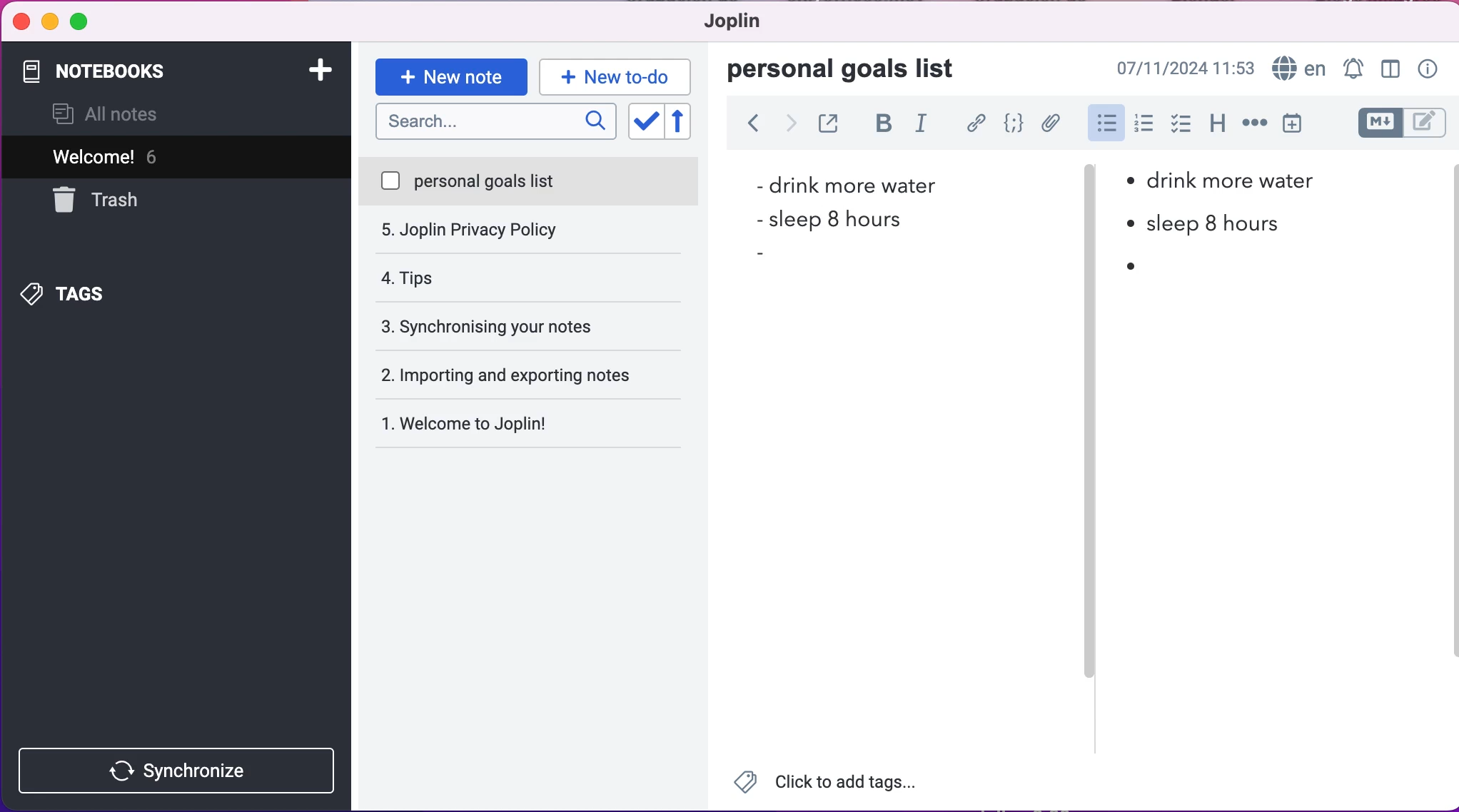  What do you see at coordinates (1181, 128) in the screenshot?
I see `check box` at bounding box center [1181, 128].